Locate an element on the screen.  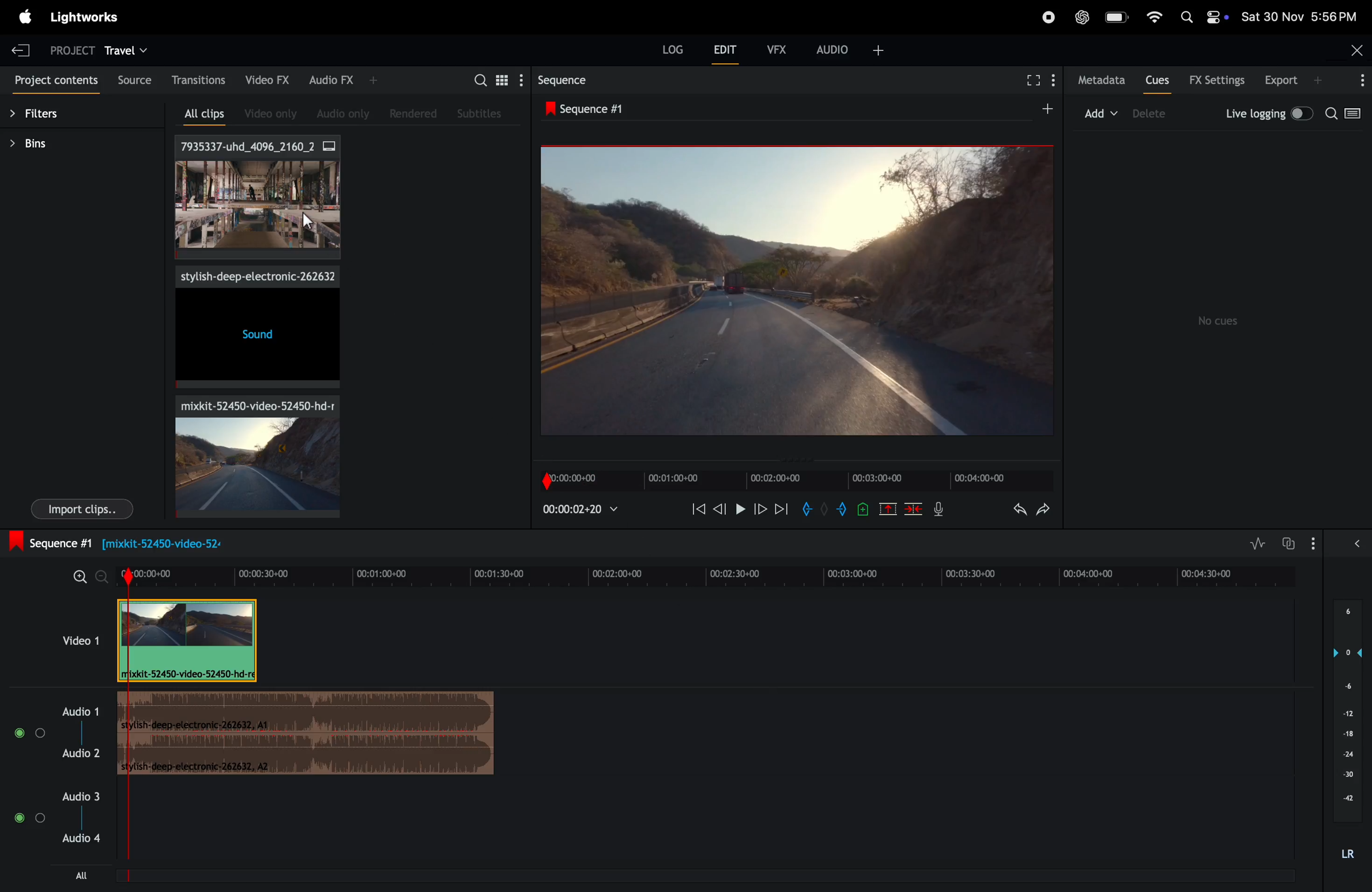
filters is located at coordinates (45, 116).